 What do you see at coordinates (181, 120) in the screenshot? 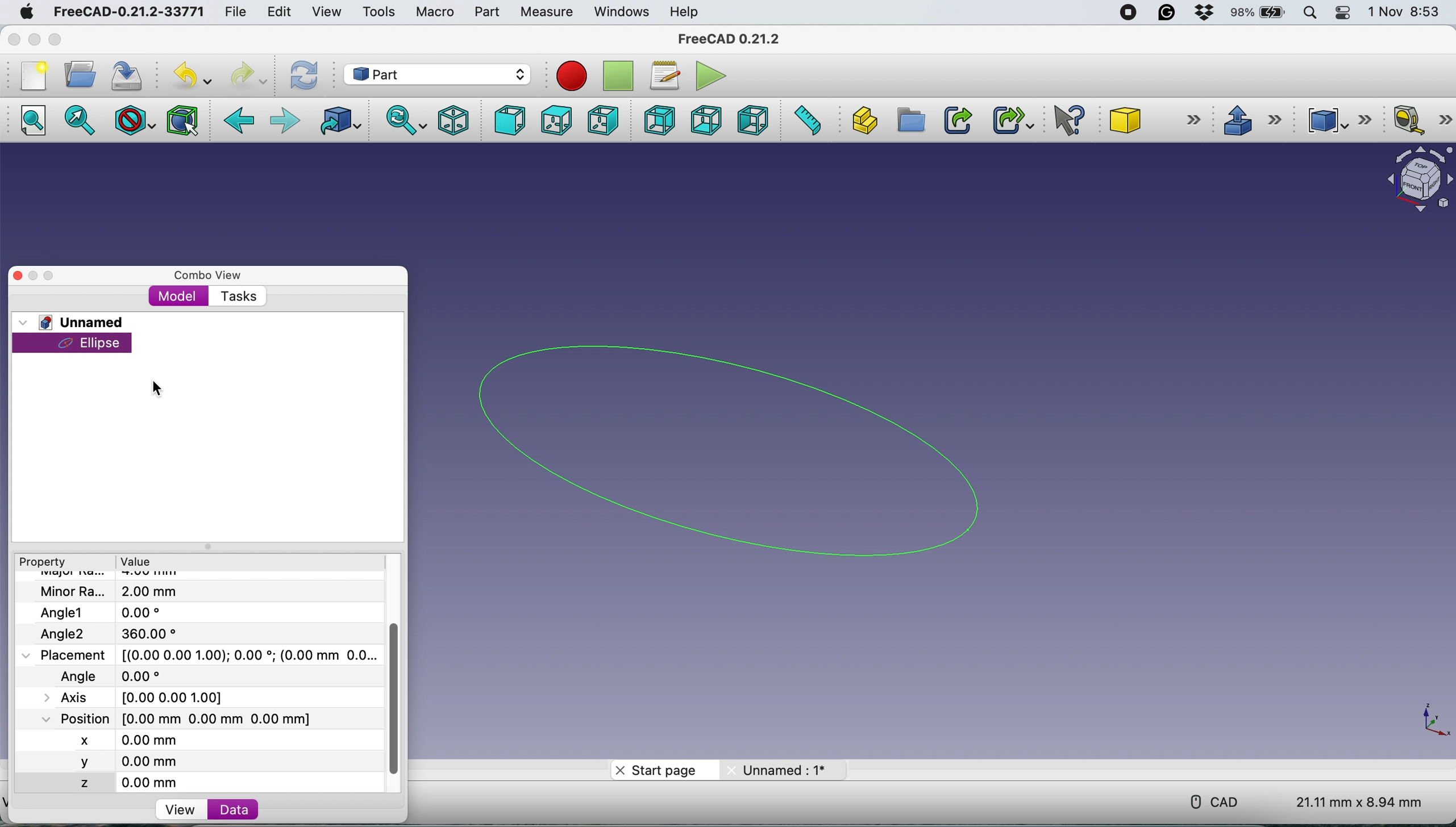
I see `bounding box` at bounding box center [181, 120].